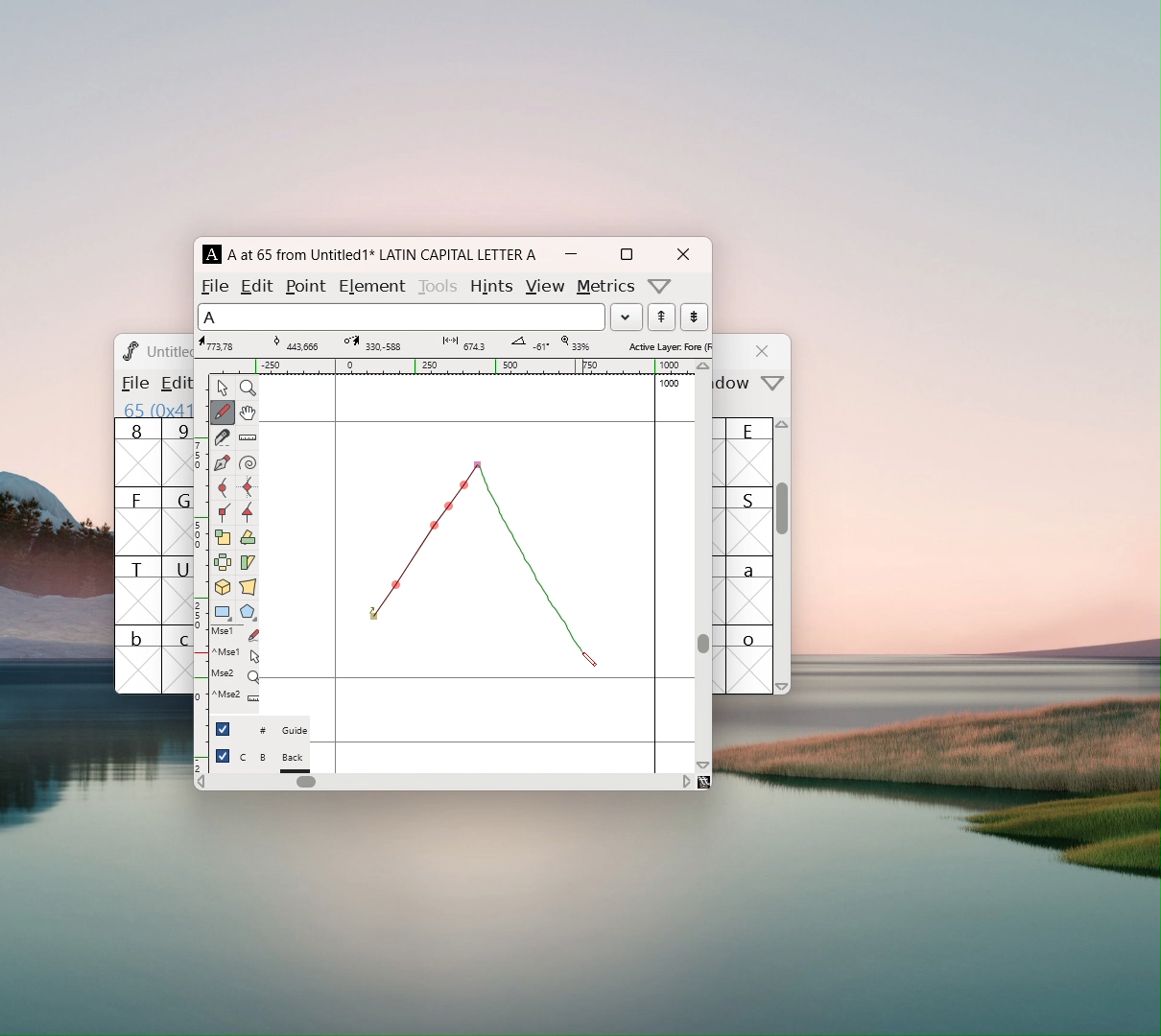  I want to click on vertical ruler, so click(201, 572).